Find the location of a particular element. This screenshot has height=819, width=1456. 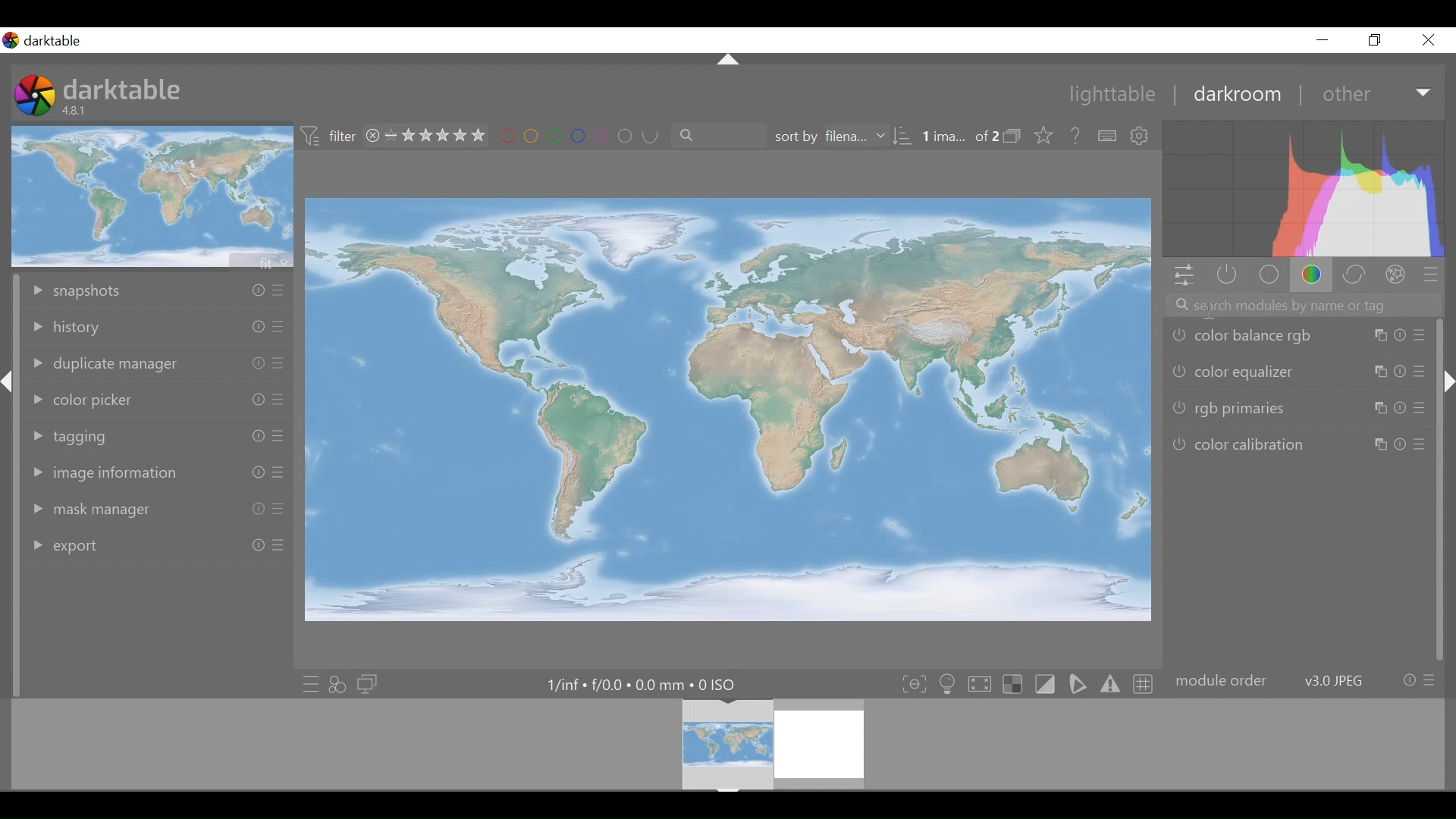

duplicate manager is located at coordinates (157, 366).